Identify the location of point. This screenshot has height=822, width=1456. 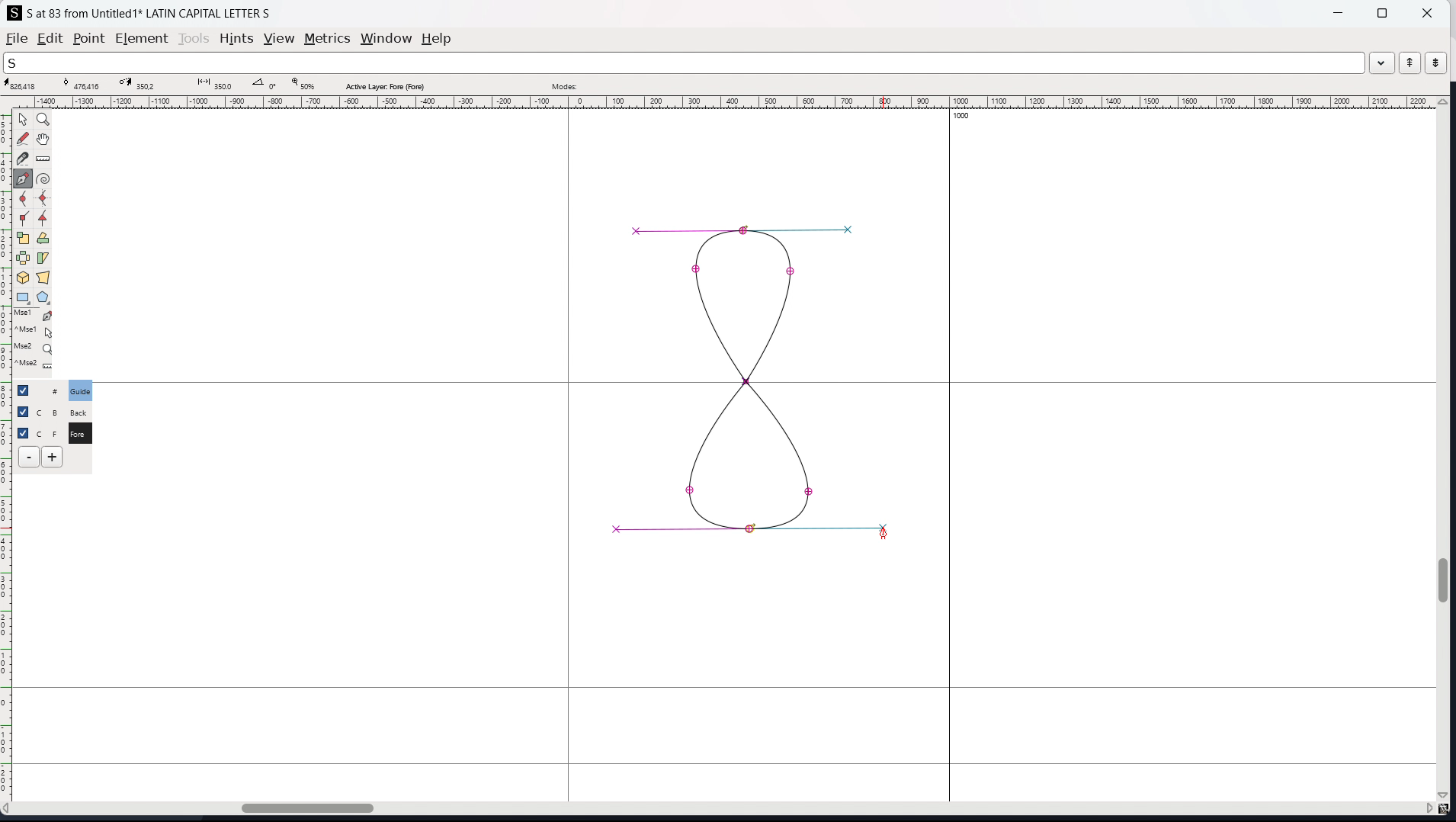
(88, 40).